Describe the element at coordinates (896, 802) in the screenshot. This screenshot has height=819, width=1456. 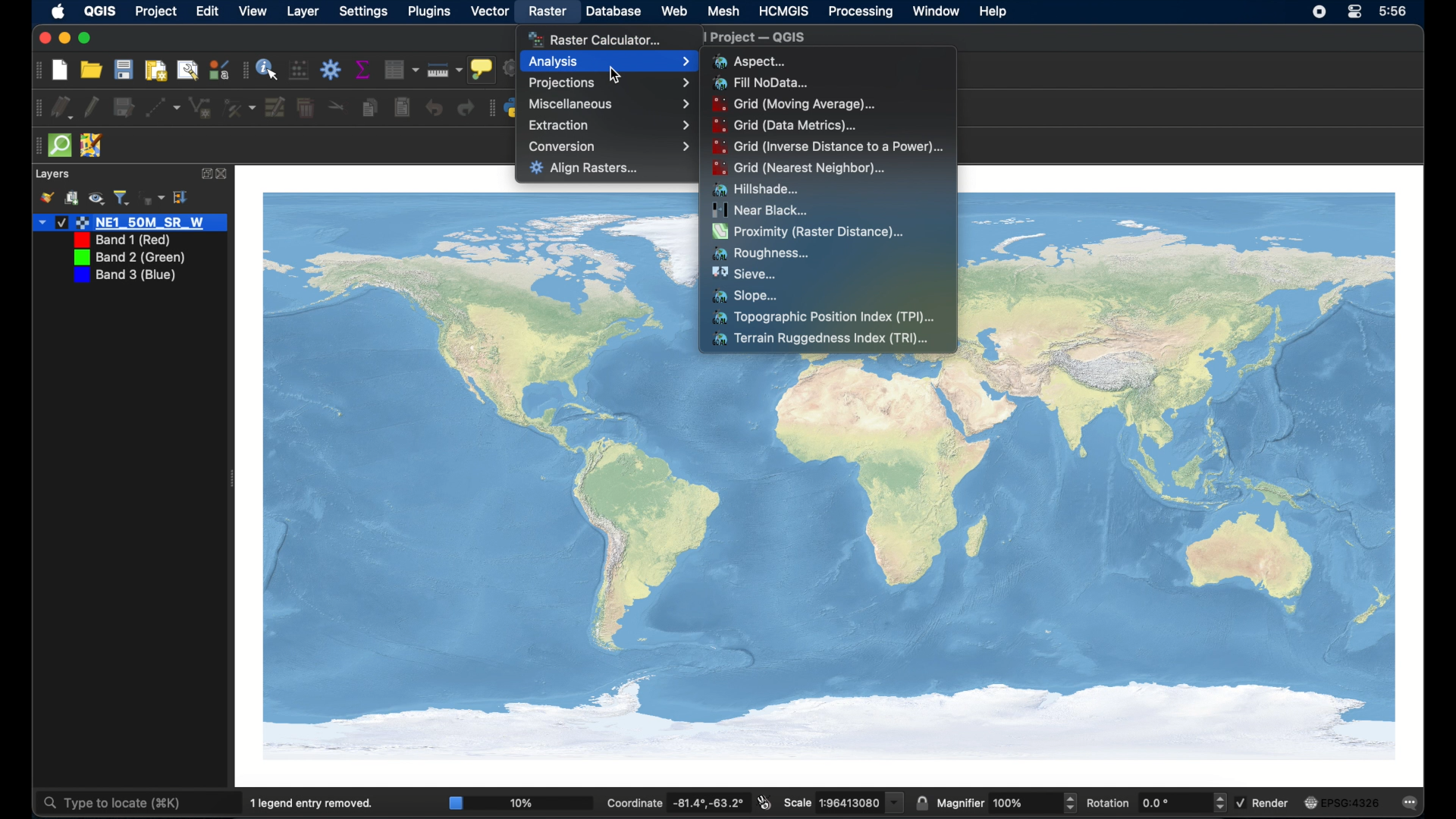
I see `drop down menu` at that location.